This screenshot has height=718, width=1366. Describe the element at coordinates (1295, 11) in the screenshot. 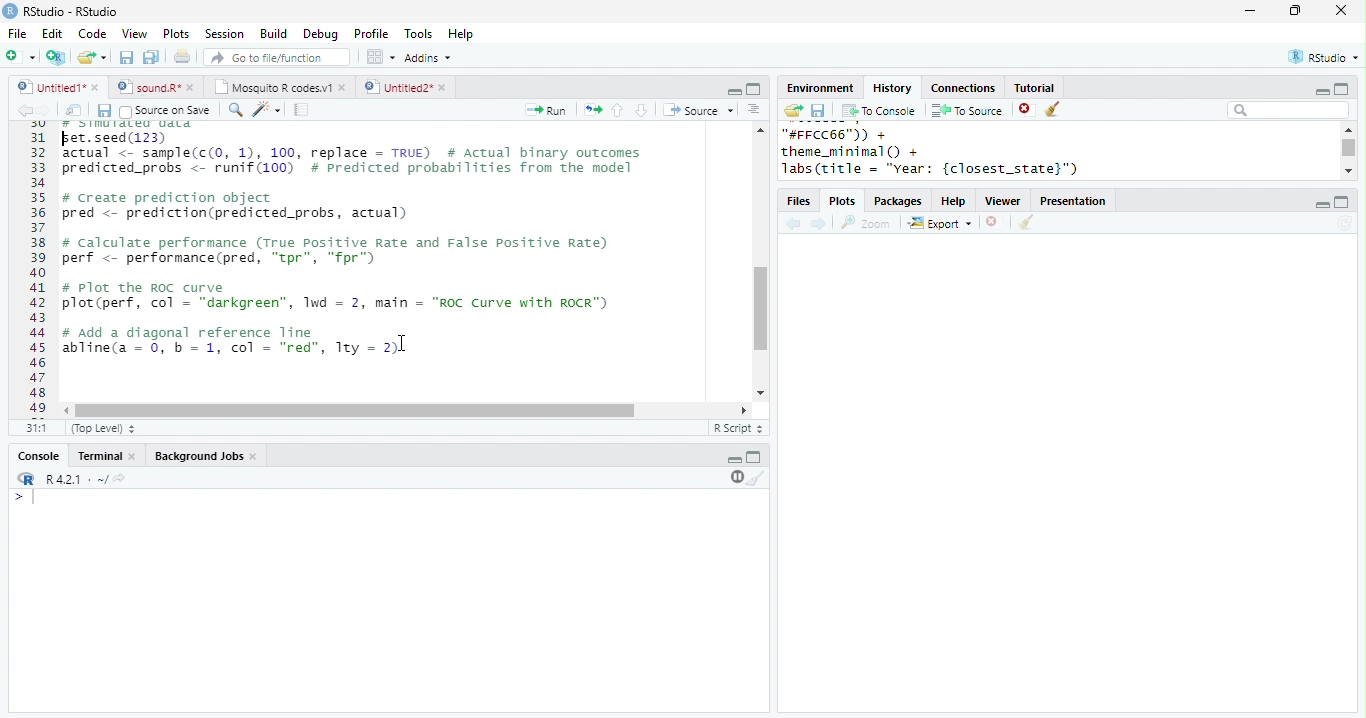

I see `resize` at that location.